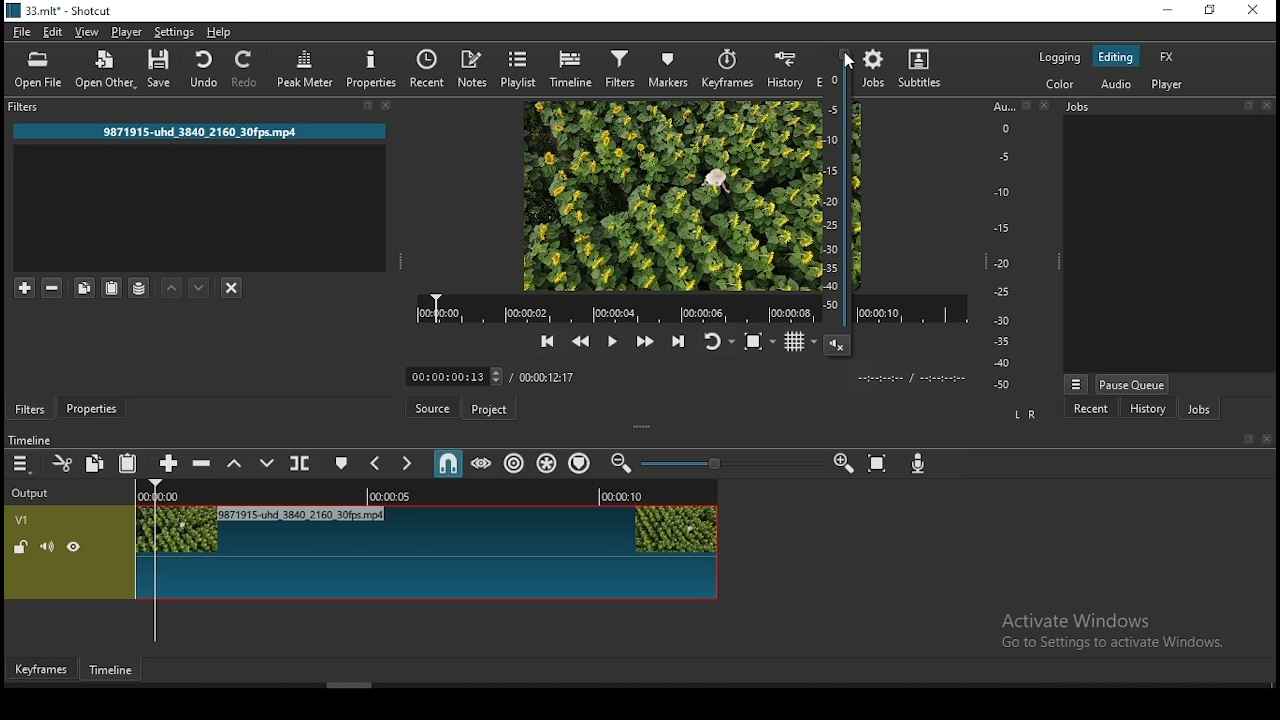 Image resolution: width=1280 pixels, height=720 pixels. What do you see at coordinates (1211, 10) in the screenshot?
I see `restore` at bounding box center [1211, 10].